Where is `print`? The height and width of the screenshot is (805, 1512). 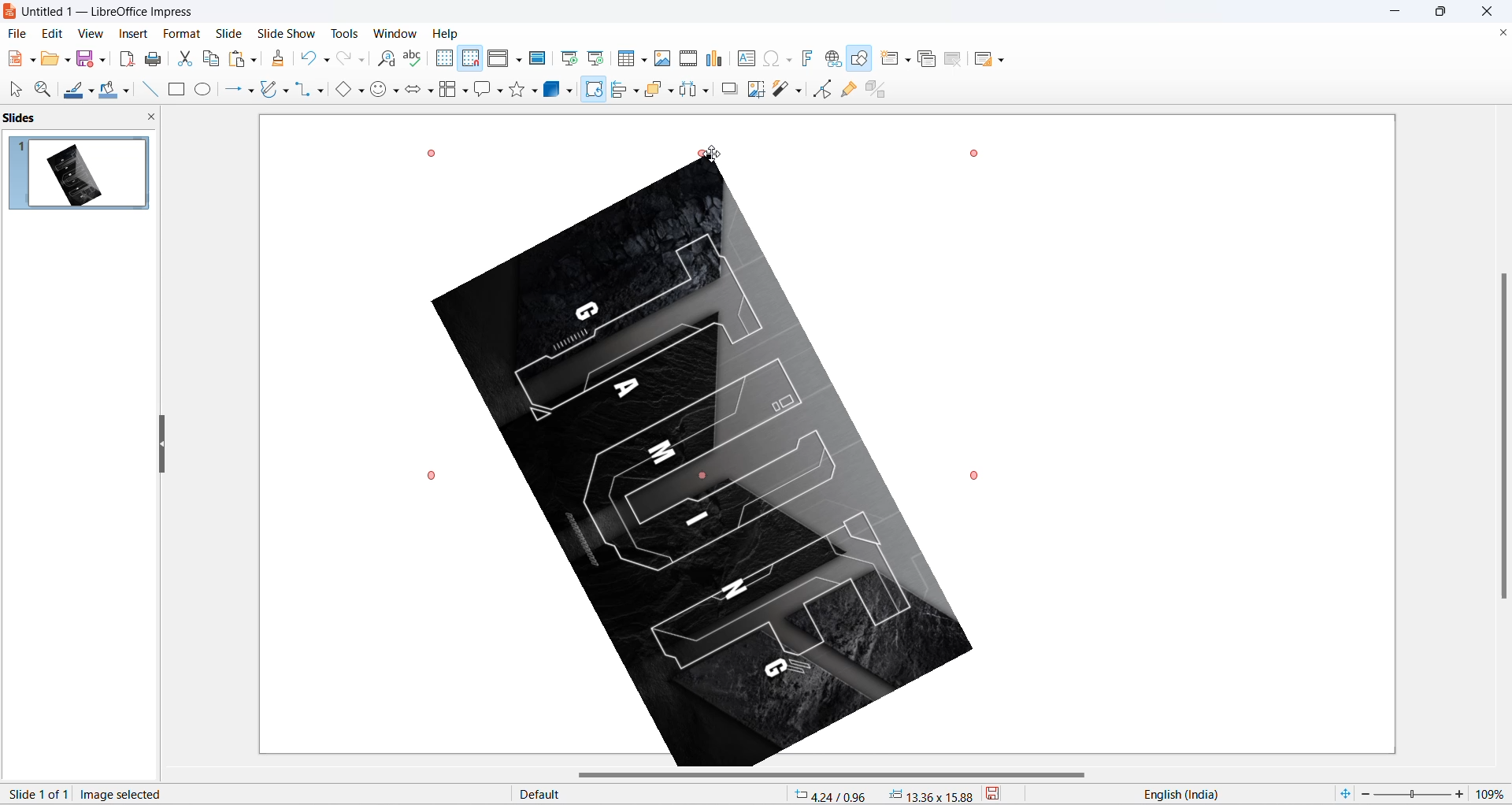
print is located at coordinates (158, 59).